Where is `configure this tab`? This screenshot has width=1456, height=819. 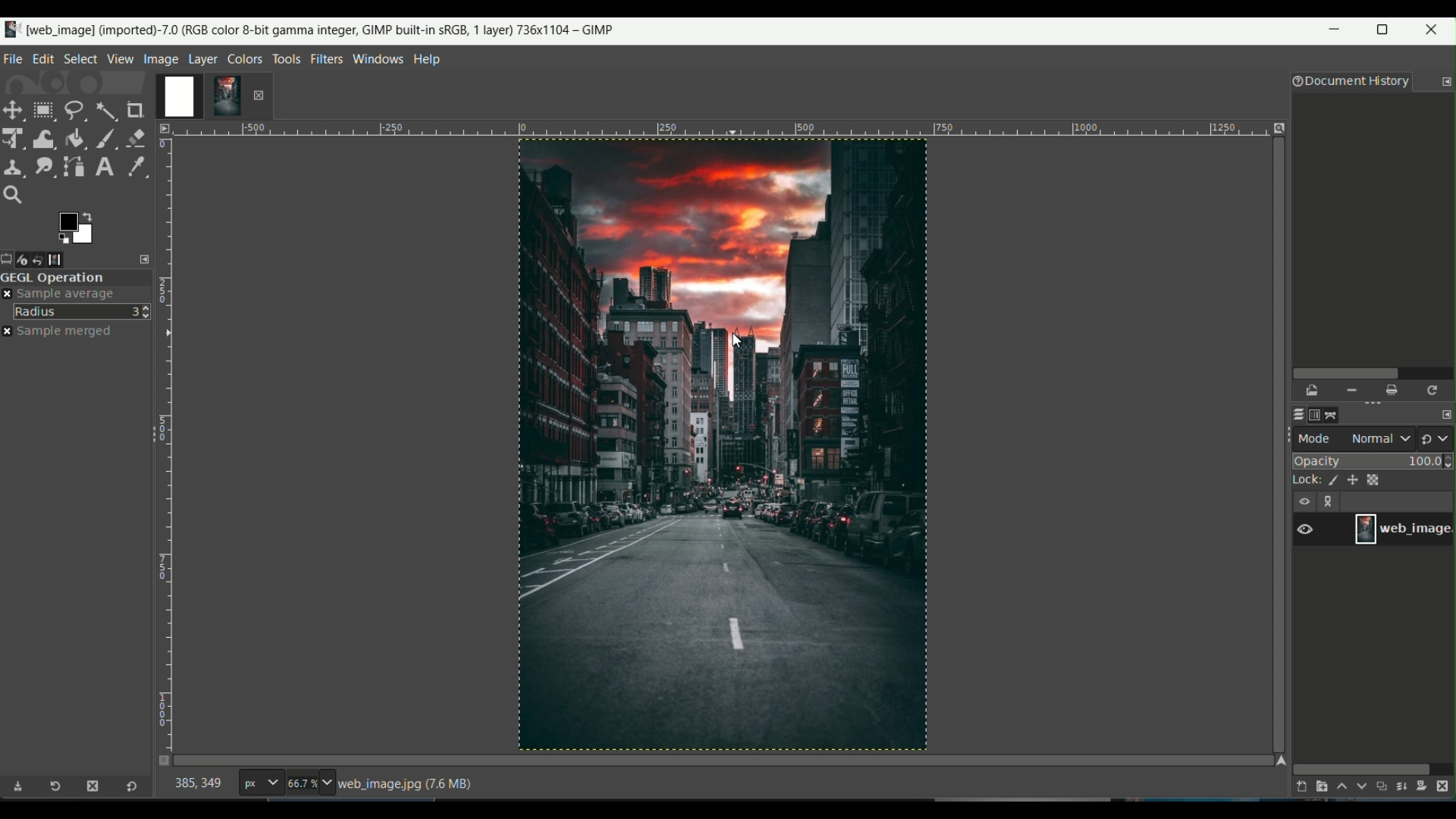 configure this tab is located at coordinates (1446, 82).